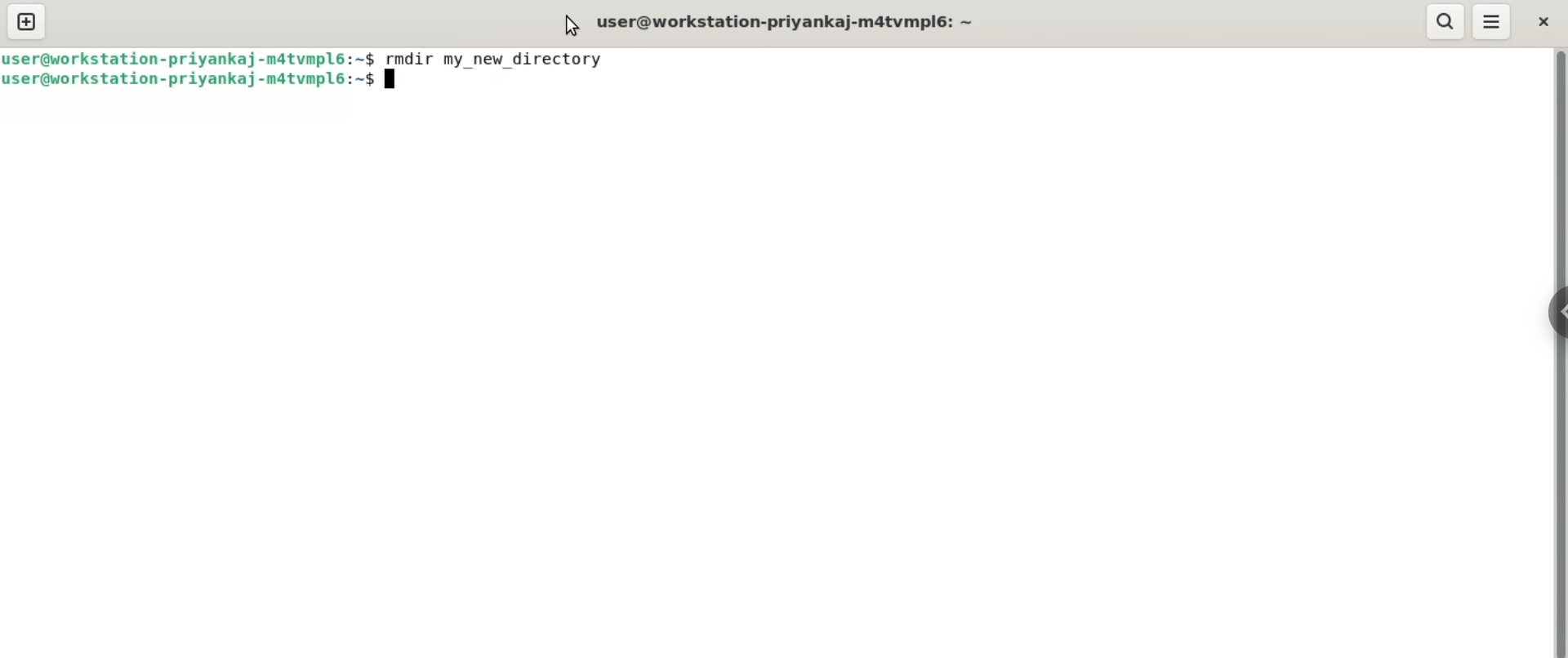  Describe the element at coordinates (191, 60) in the screenshot. I see `user@workstation-priyanka-m4tvmpl6:~ $` at that location.